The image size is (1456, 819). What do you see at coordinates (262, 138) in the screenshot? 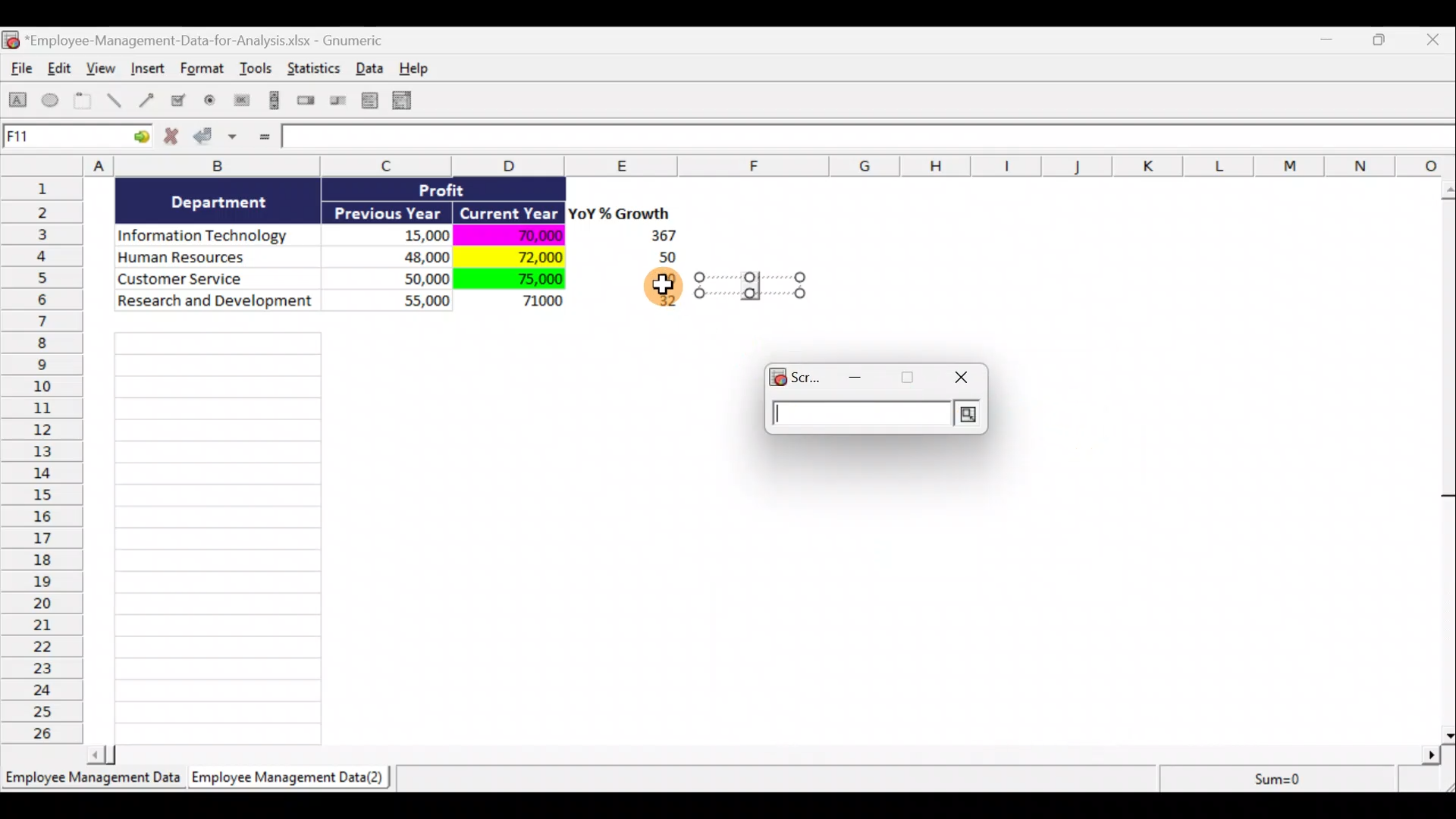
I see `Enter formula` at bounding box center [262, 138].